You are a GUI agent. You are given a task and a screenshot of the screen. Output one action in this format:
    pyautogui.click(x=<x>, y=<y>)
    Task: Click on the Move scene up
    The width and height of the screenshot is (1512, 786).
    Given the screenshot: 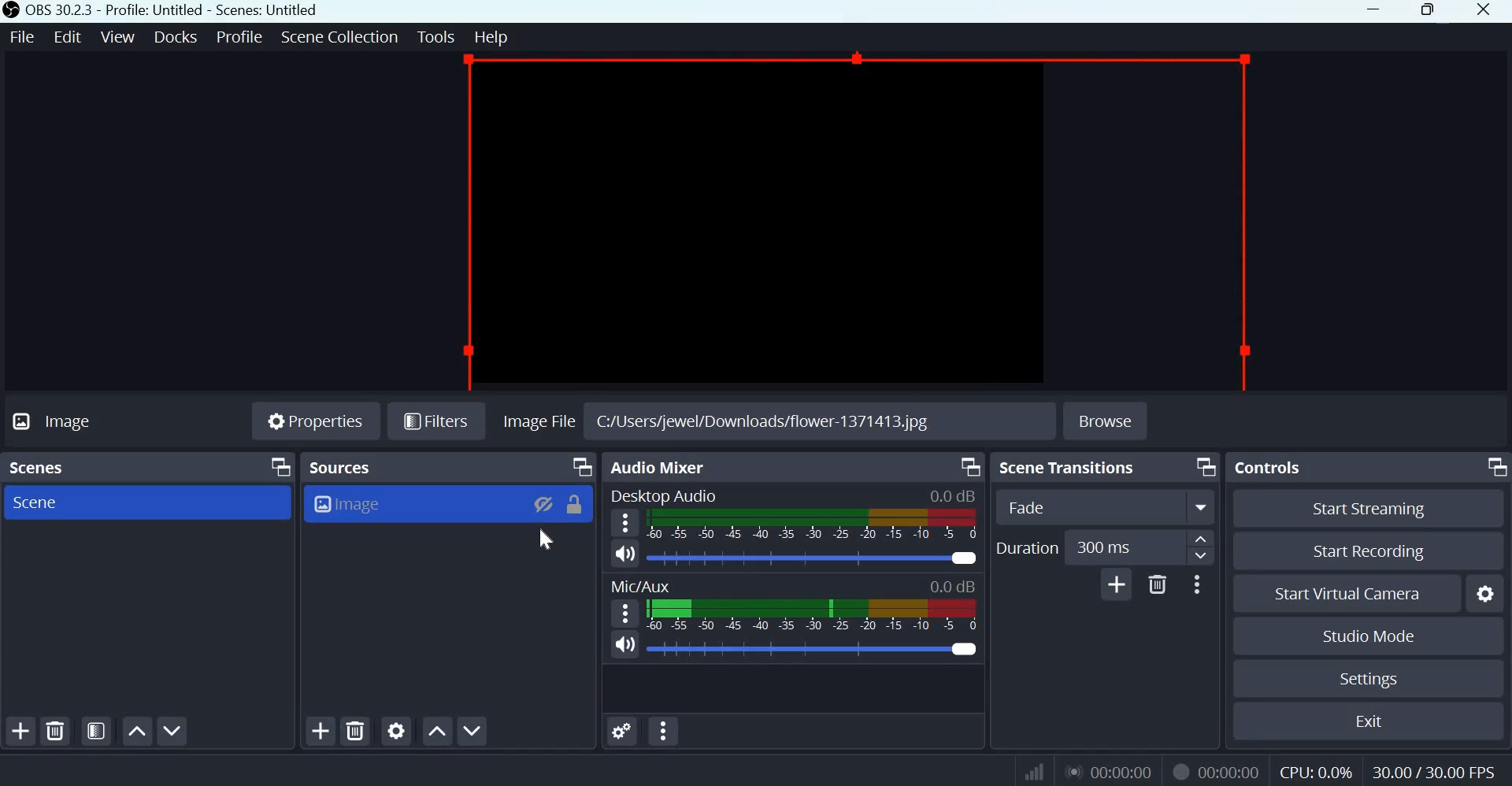 What is the action you would take?
    pyautogui.click(x=135, y=731)
    